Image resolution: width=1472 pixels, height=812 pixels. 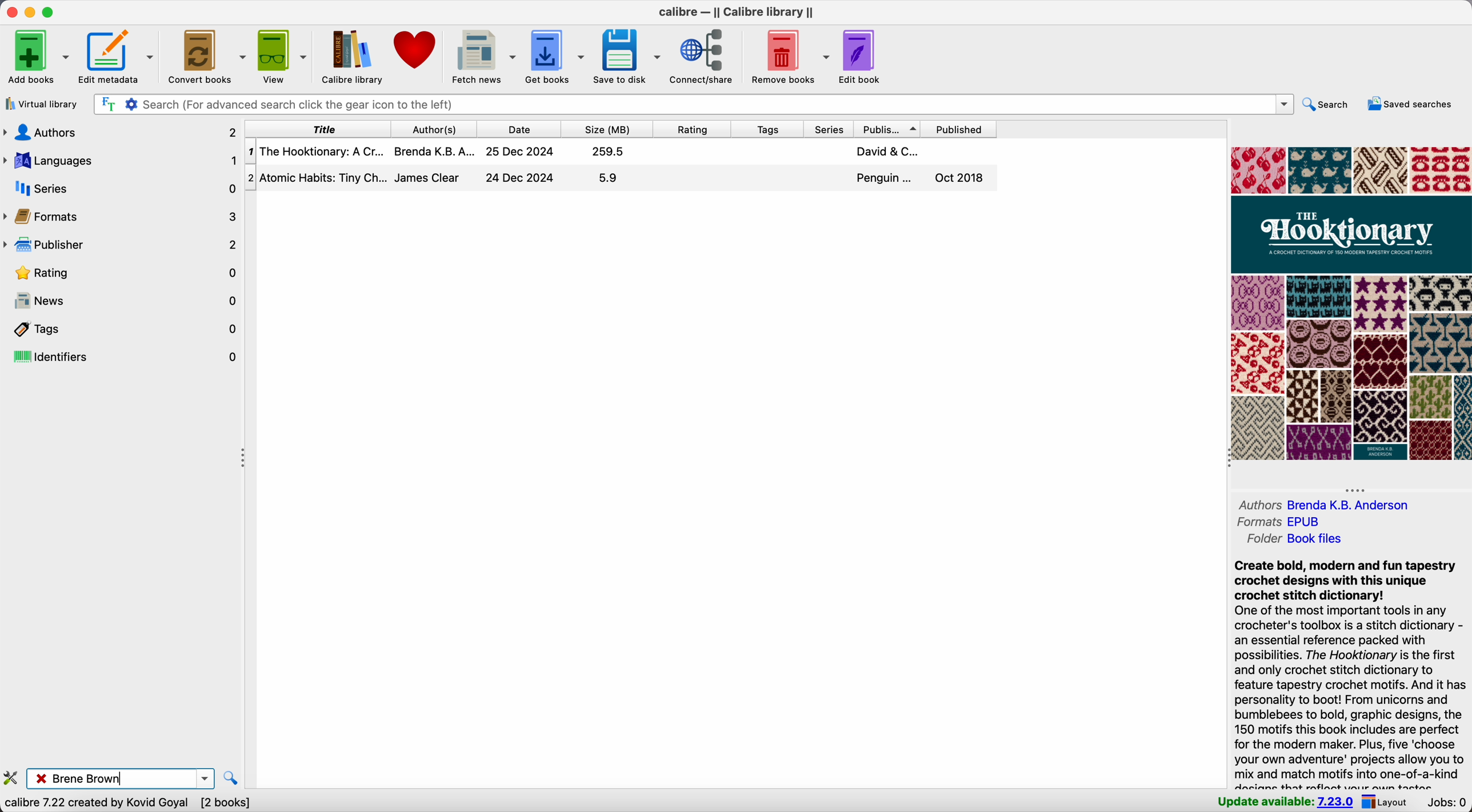 I want to click on Calibre library, so click(x=351, y=59).